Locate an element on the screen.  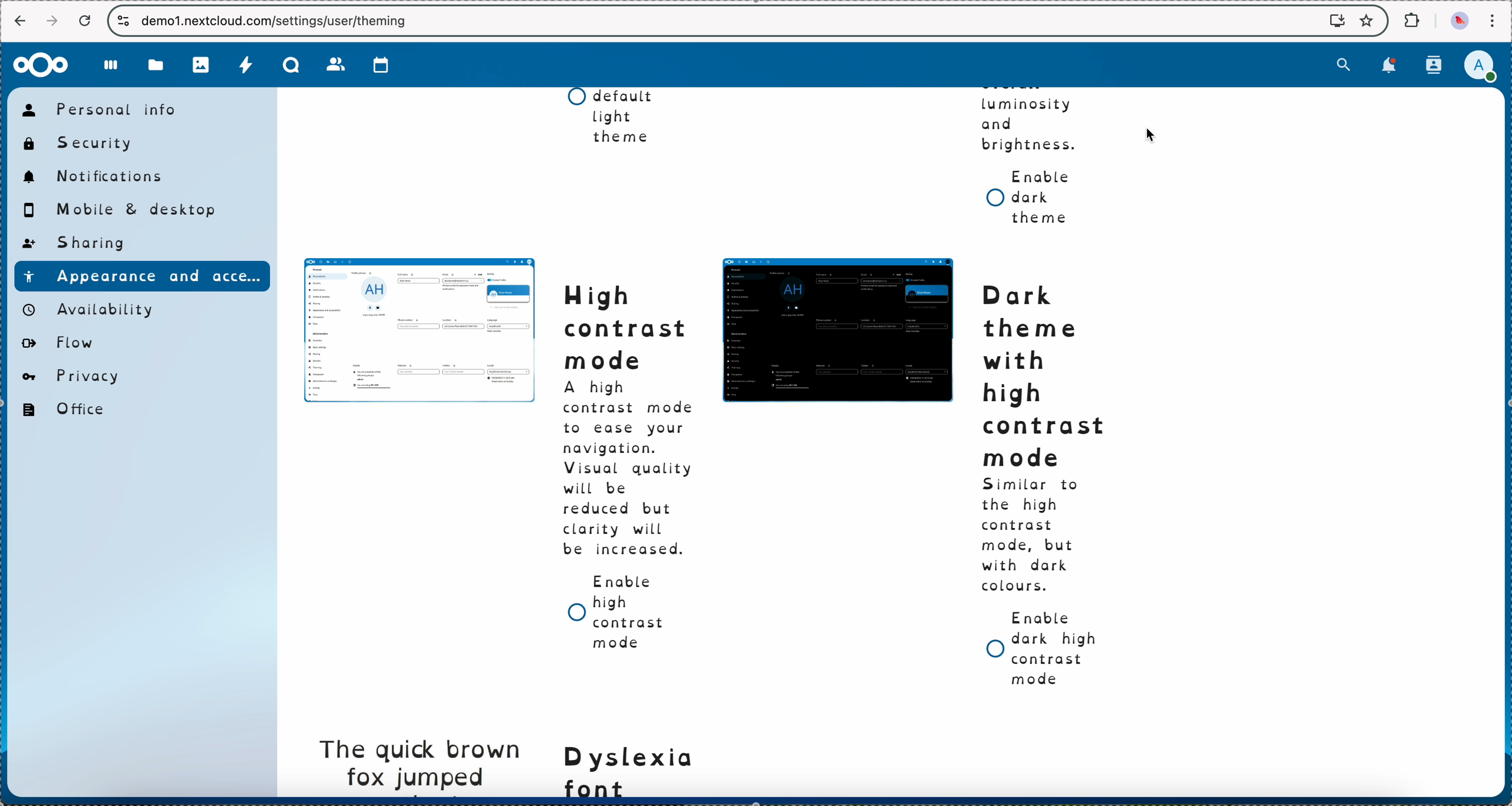
profile picture is located at coordinates (1457, 21).